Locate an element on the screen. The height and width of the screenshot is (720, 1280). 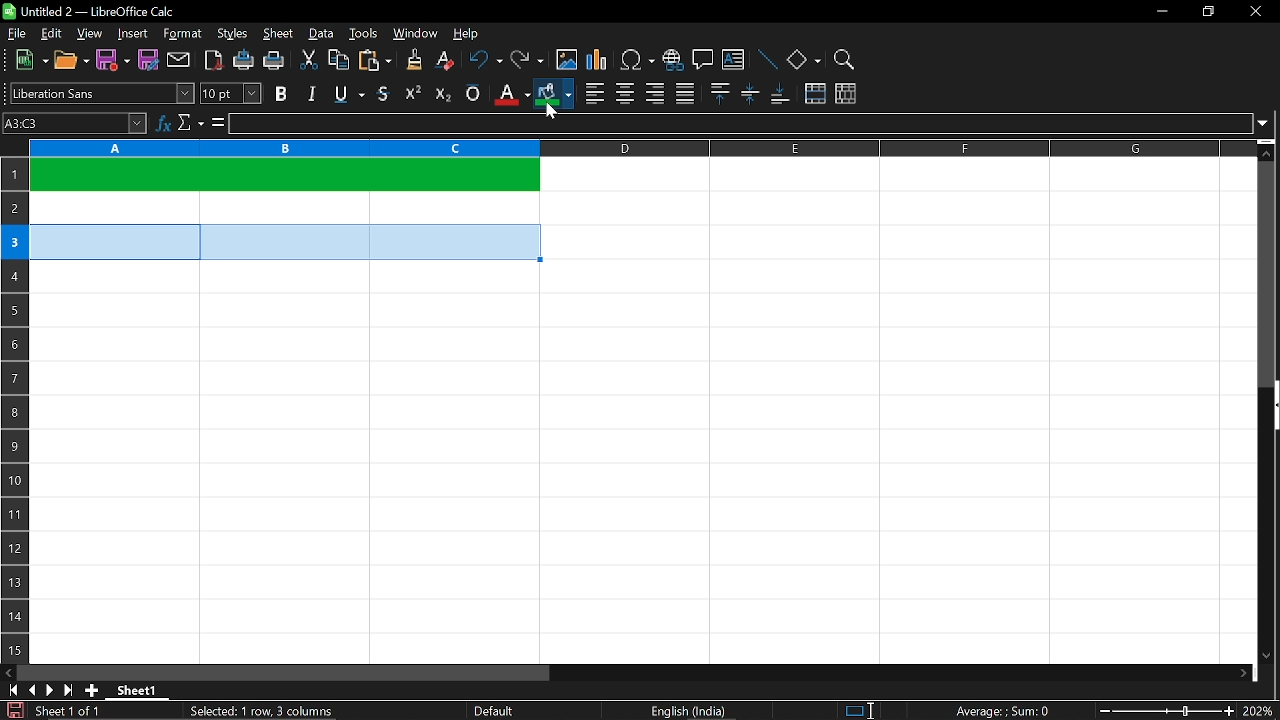
line is located at coordinates (767, 59).